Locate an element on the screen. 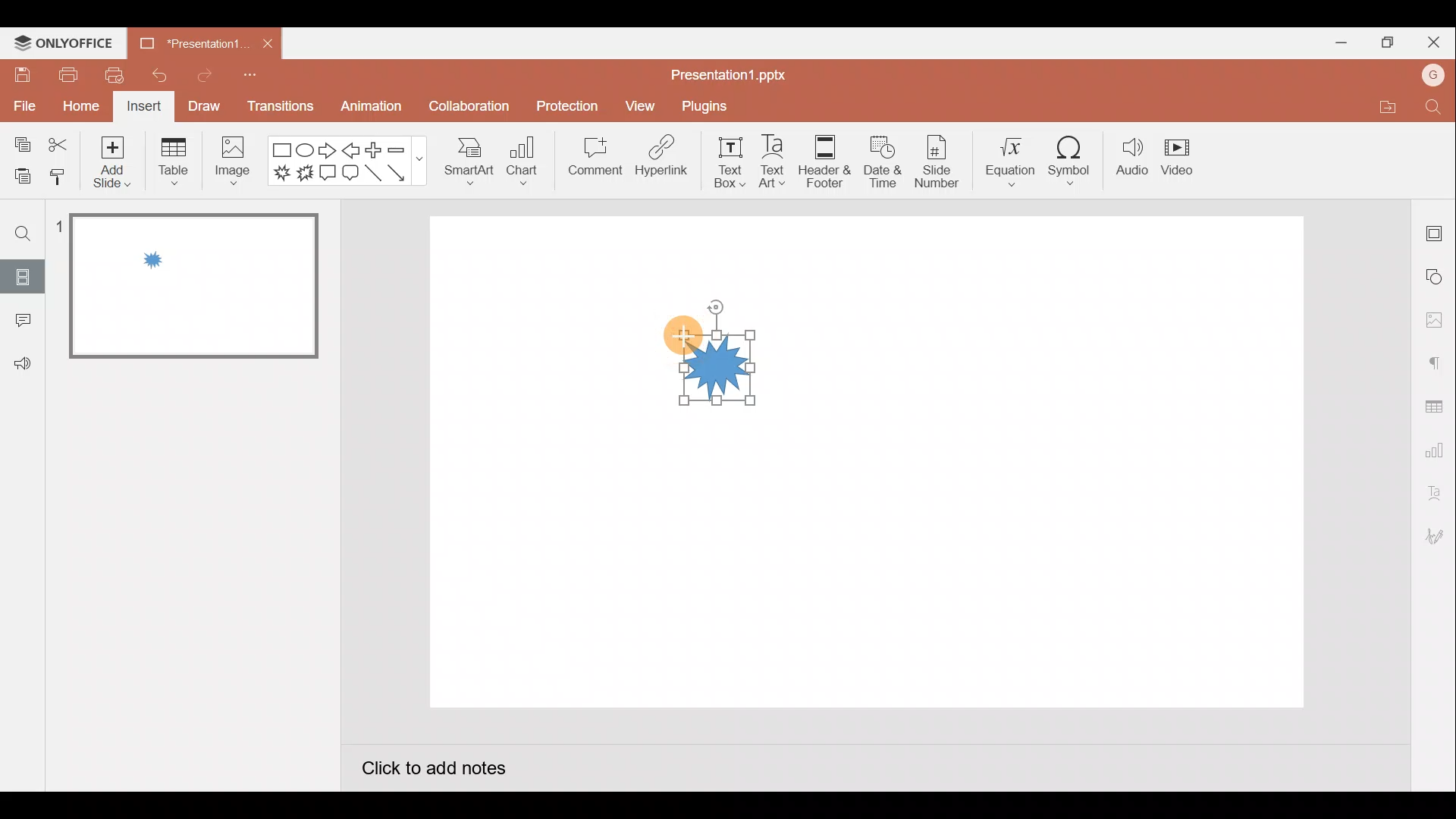 This screenshot has width=1456, height=819. Print file is located at coordinates (67, 75).